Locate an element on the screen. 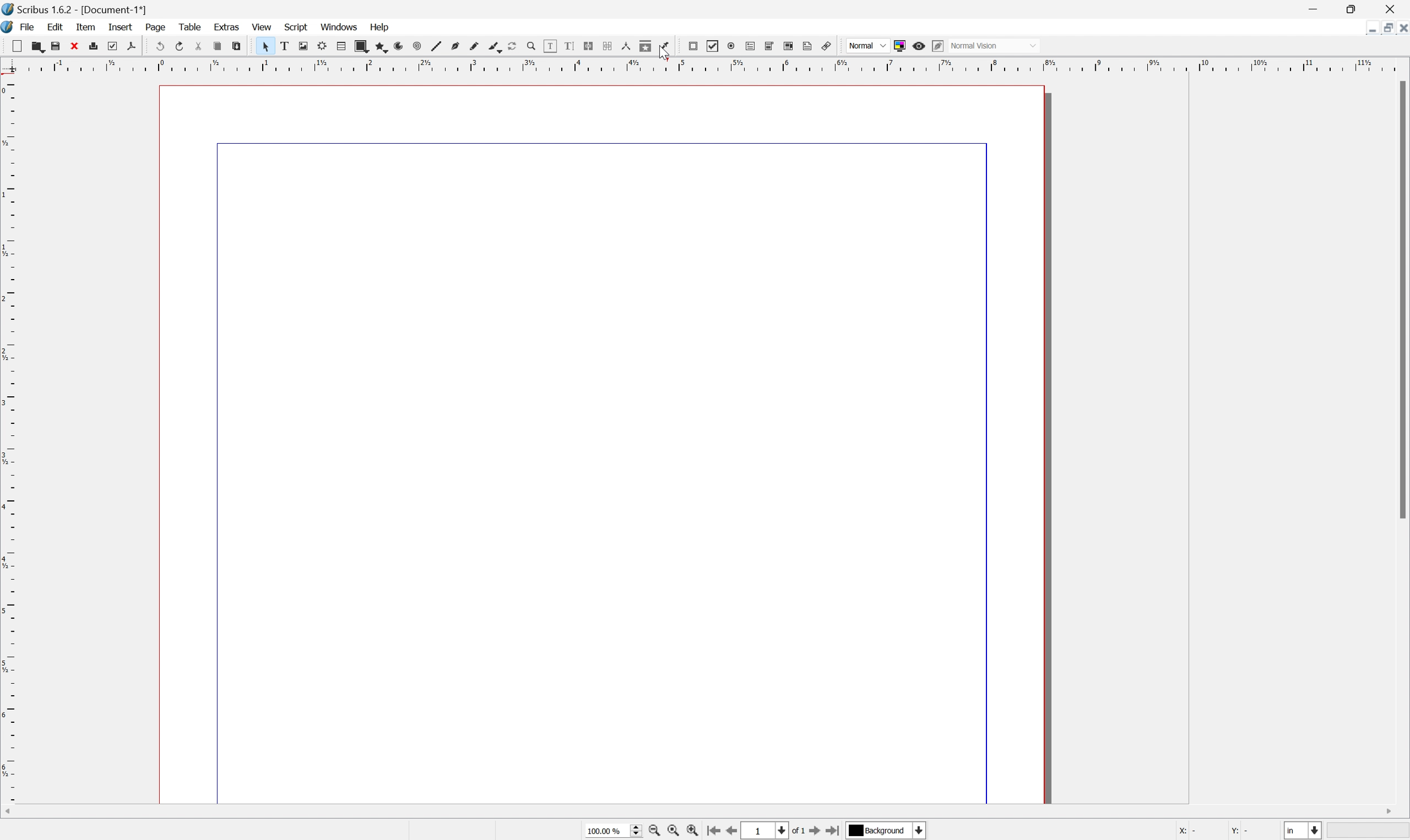 The image size is (1410, 840). text frame is located at coordinates (287, 44).